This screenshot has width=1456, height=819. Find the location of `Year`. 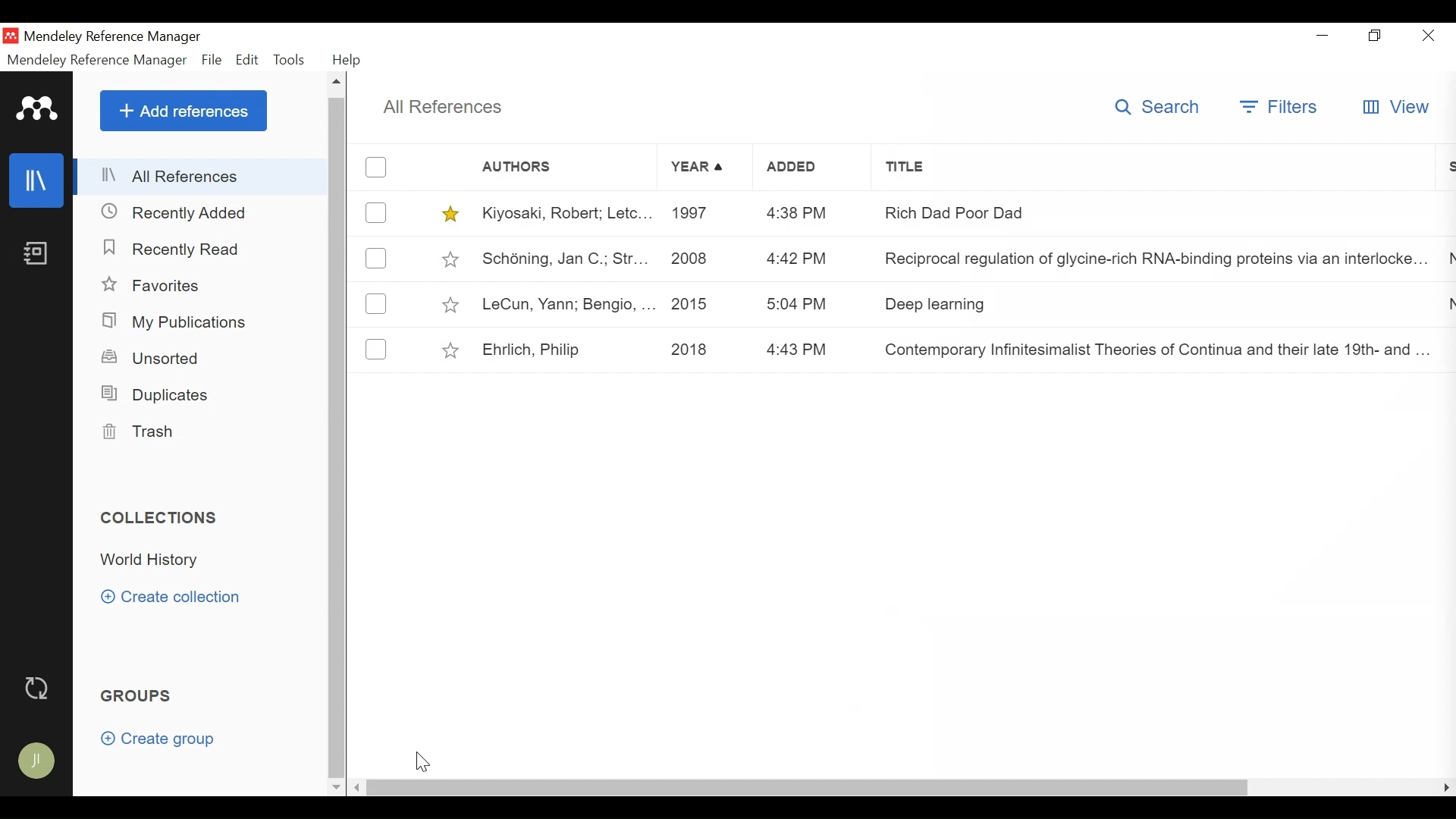

Year is located at coordinates (704, 168).